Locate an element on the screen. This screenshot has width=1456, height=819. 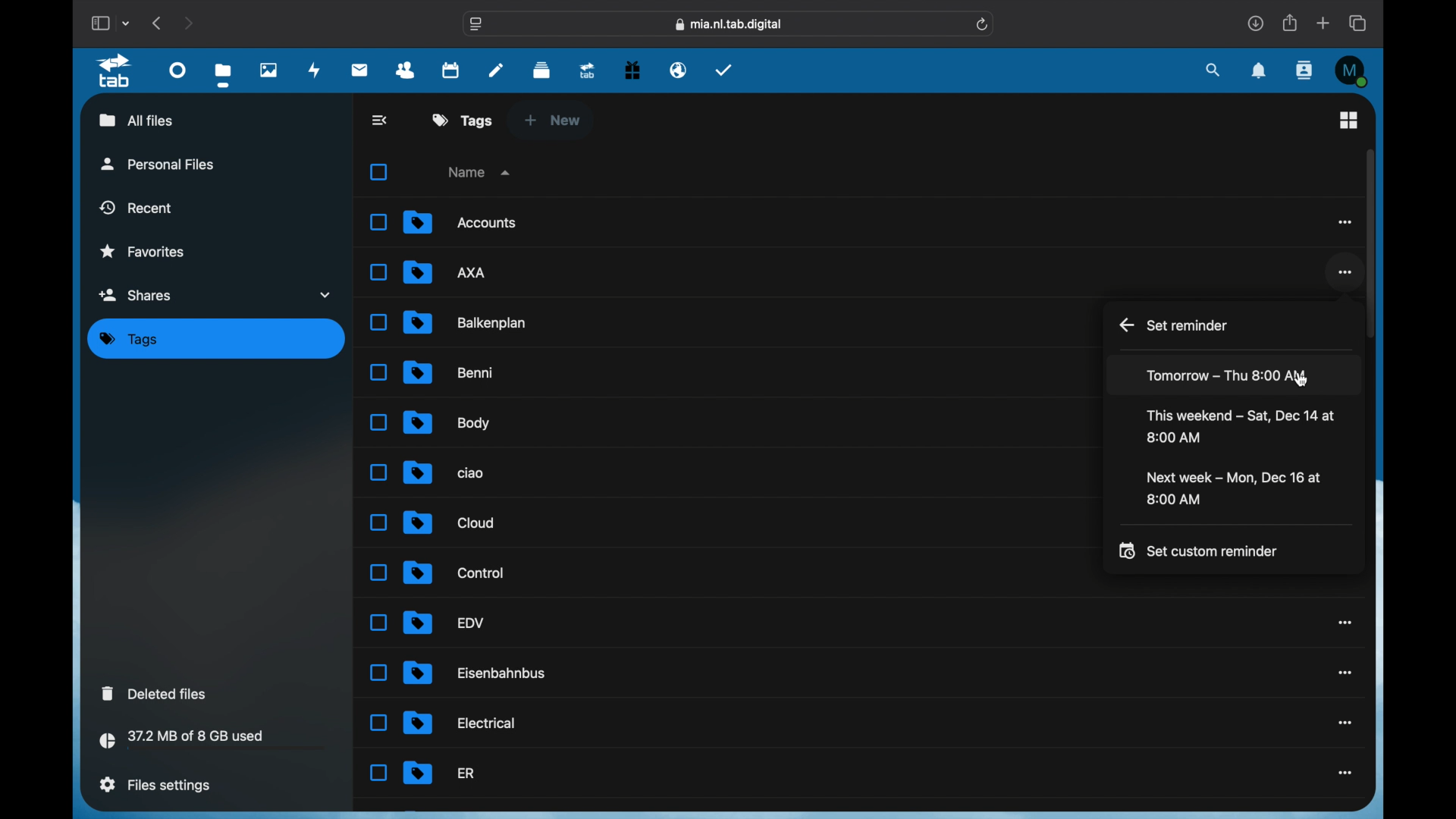
contacts is located at coordinates (1305, 71).